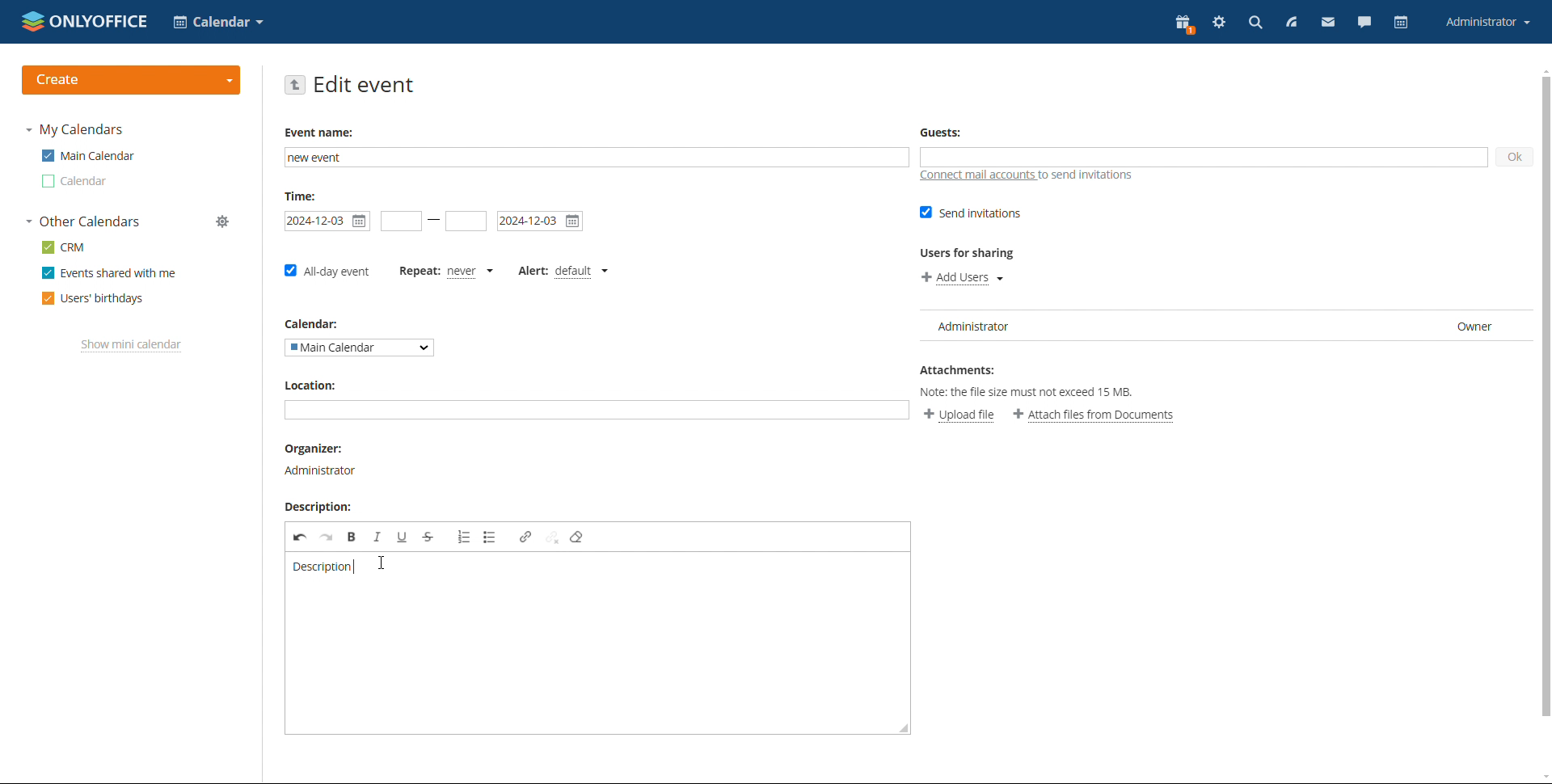  I want to click on other calendar, so click(74, 182).